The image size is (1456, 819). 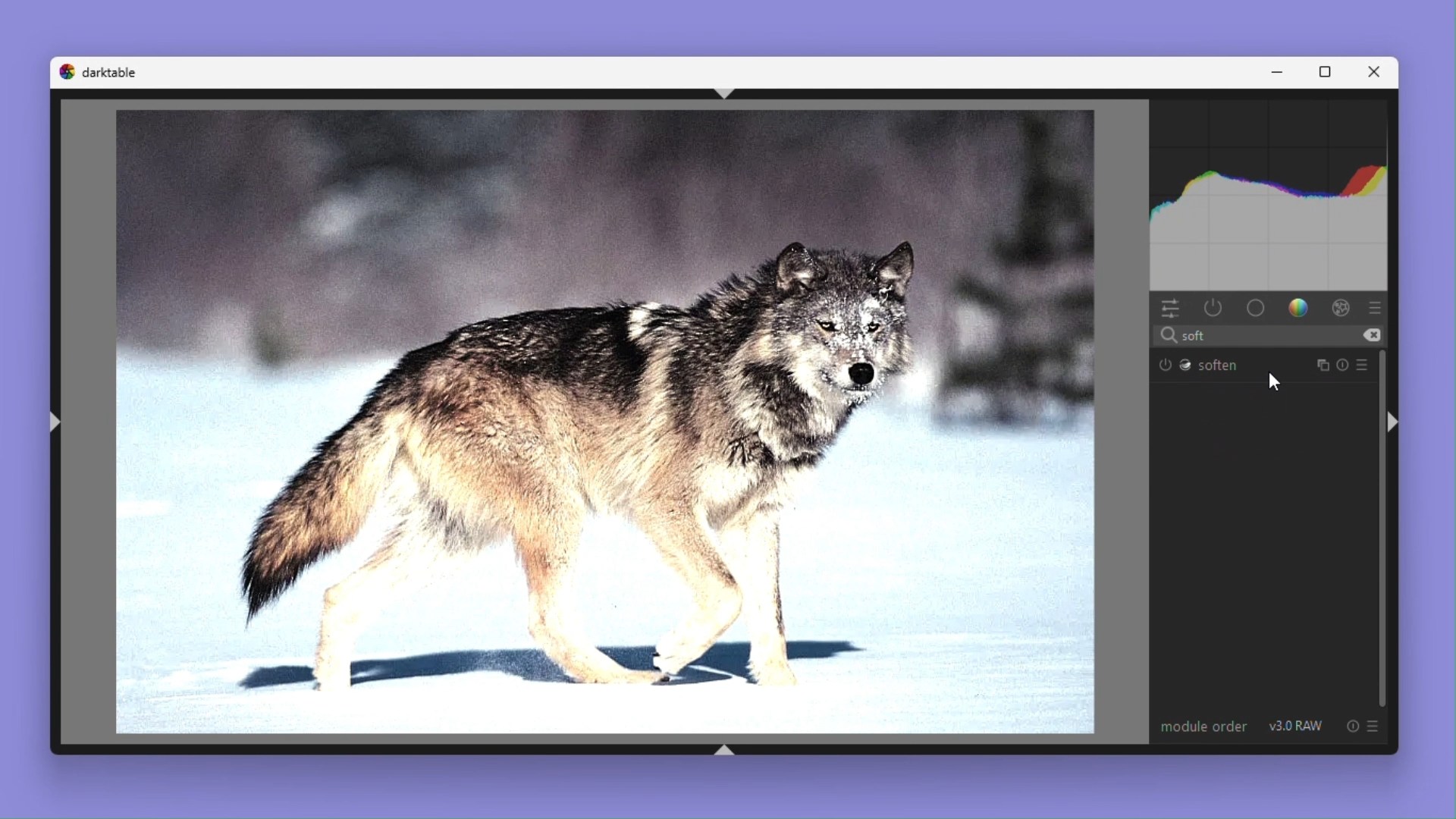 I want to click on Quick Access, so click(x=1170, y=309).